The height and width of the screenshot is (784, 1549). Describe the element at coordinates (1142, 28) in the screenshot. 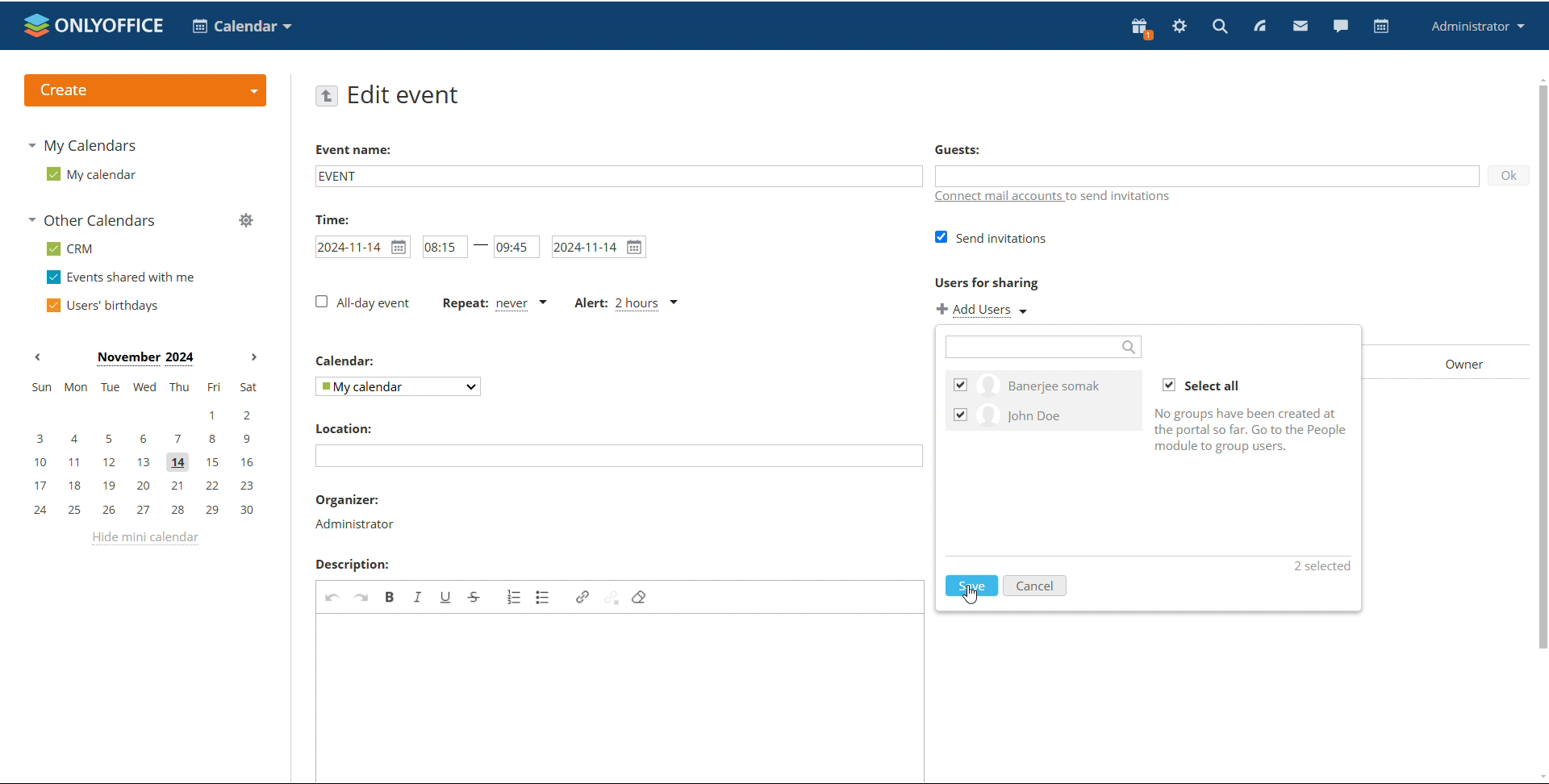

I see `reward` at that location.